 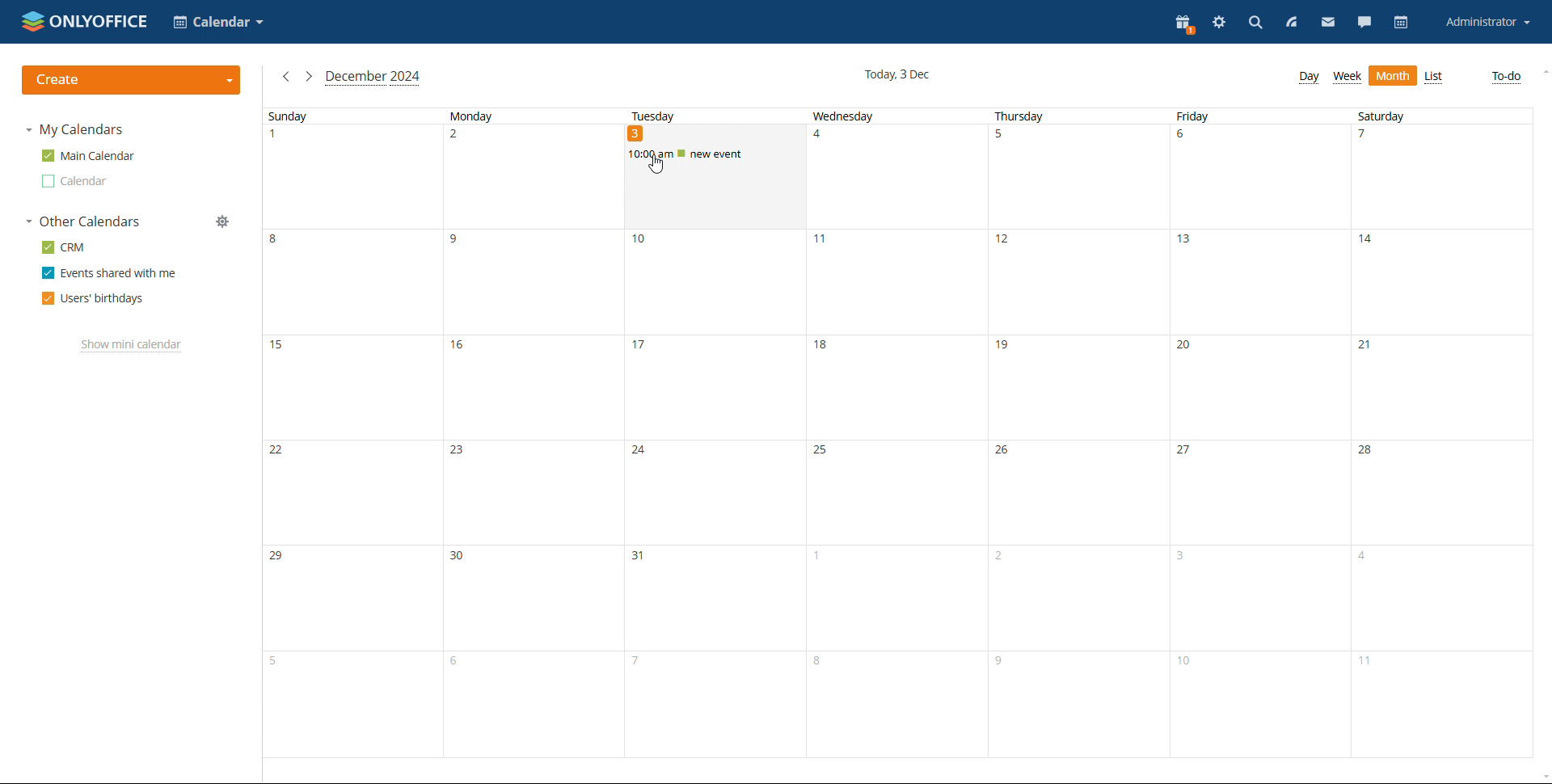 What do you see at coordinates (654, 165) in the screenshot?
I see `cursor` at bounding box center [654, 165].